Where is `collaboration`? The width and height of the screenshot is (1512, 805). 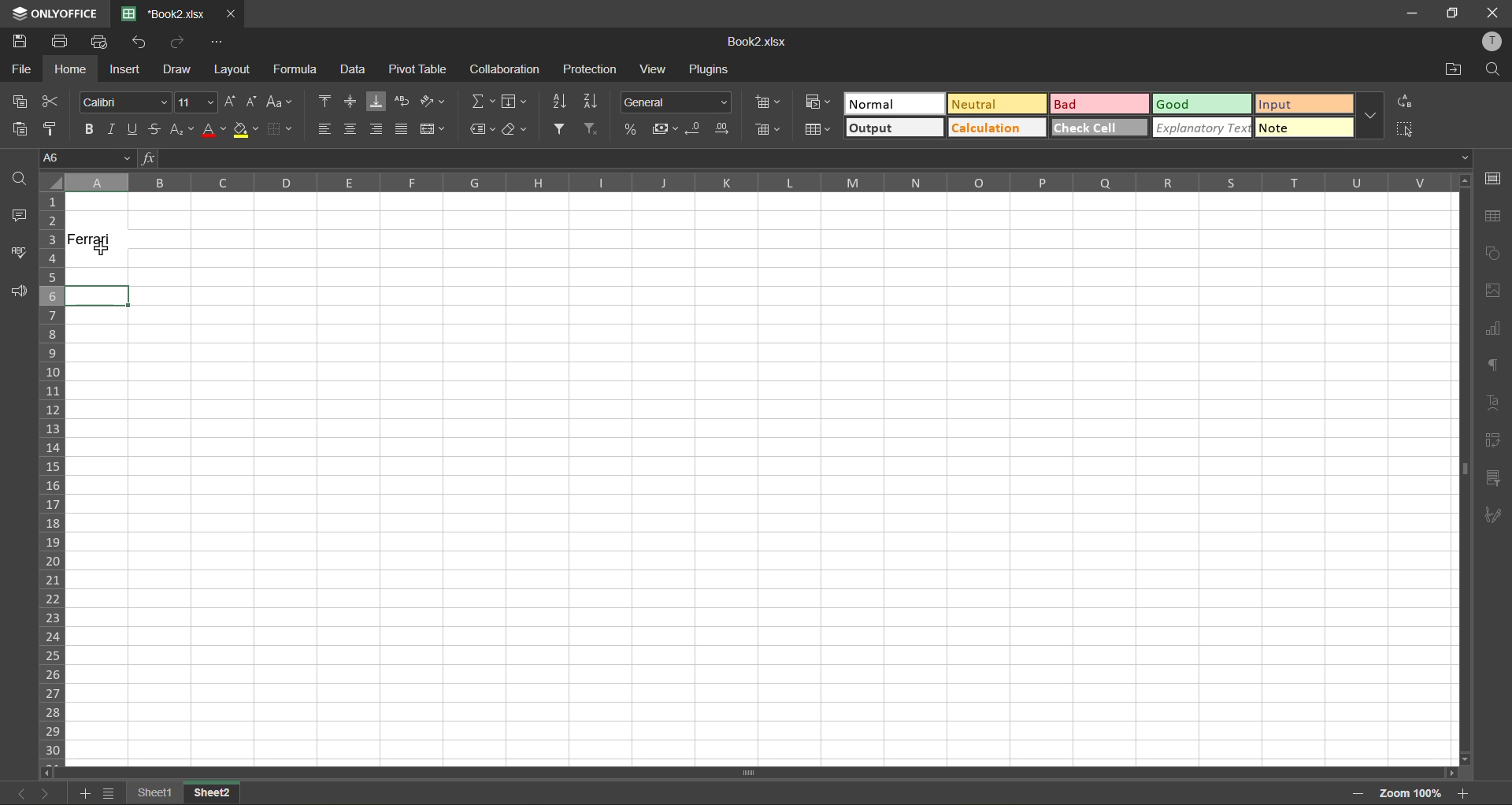 collaboration is located at coordinates (502, 69).